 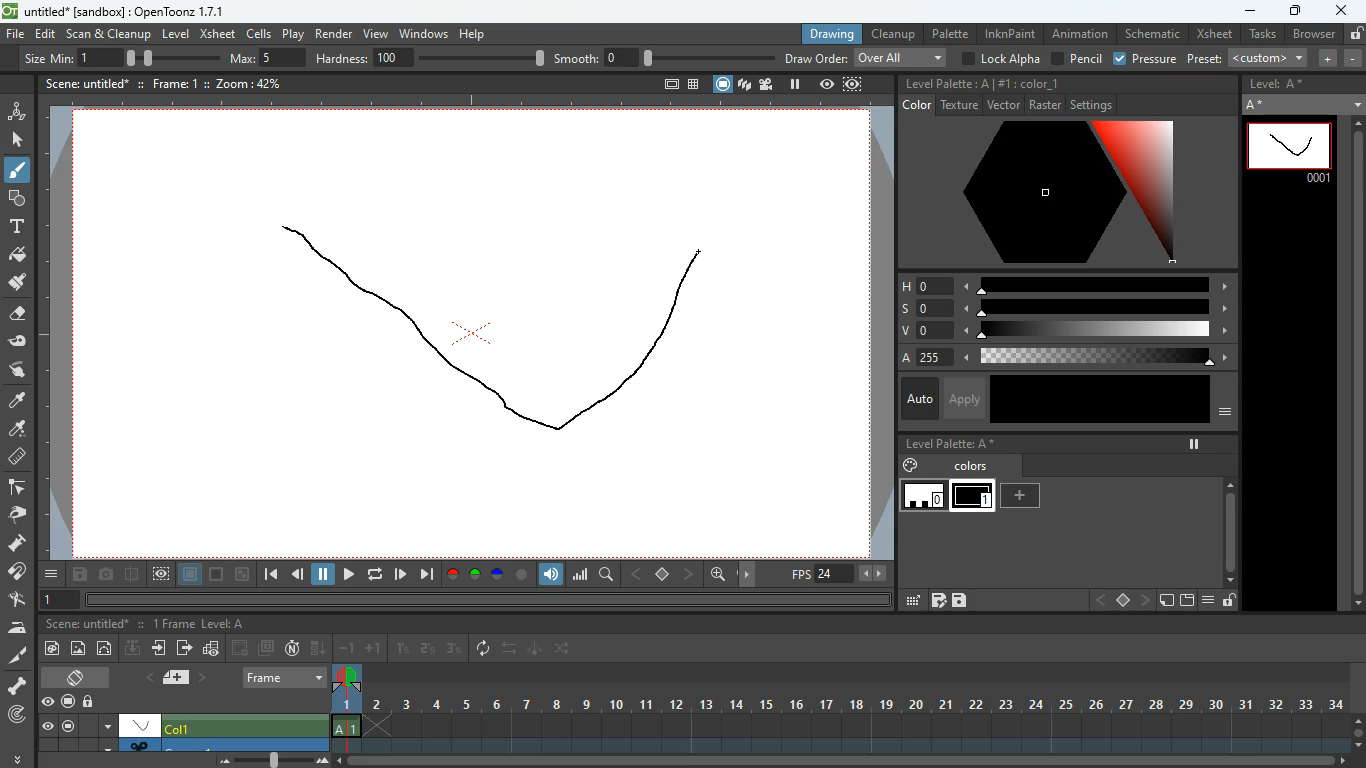 I want to click on brush, so click(x=19, y=171).